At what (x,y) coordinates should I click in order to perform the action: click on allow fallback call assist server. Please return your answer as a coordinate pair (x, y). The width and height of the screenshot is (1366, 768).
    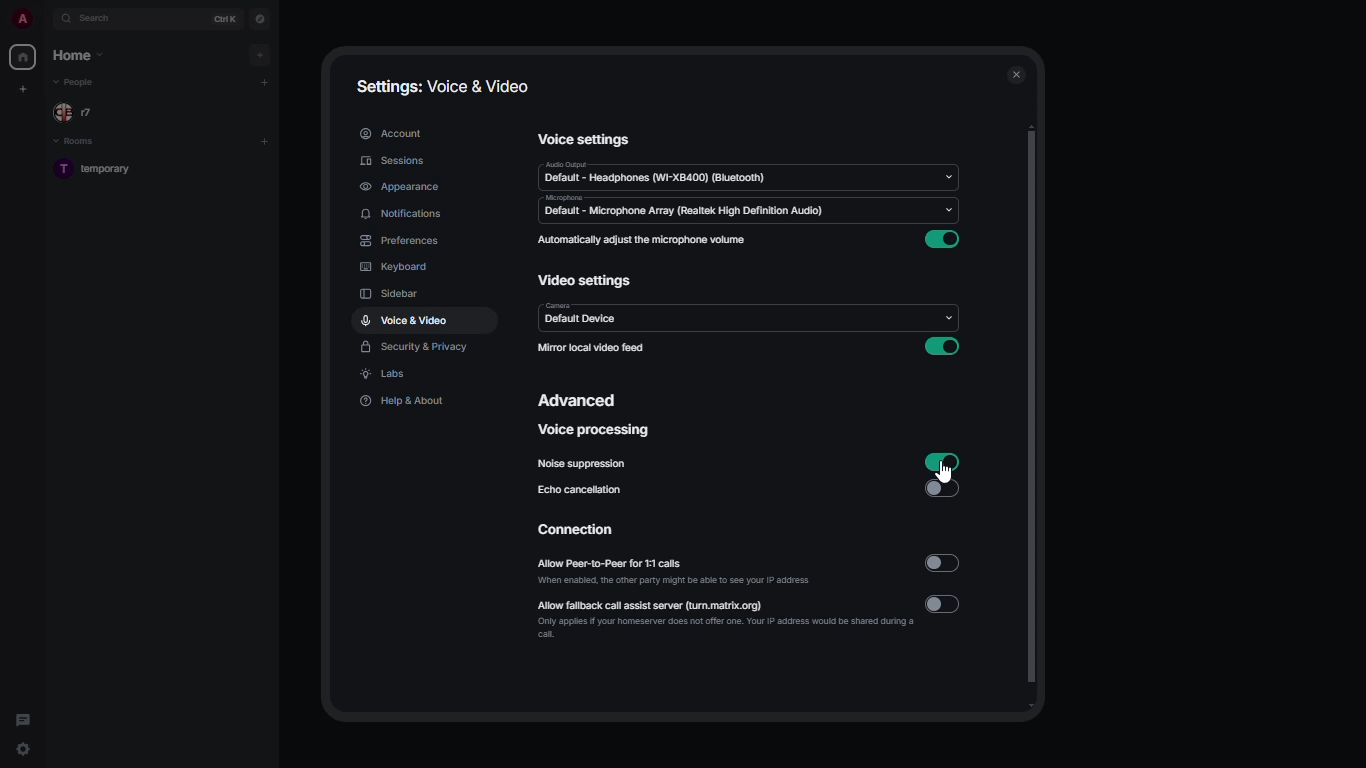
    Looking at the image, I should click on (725, 619).